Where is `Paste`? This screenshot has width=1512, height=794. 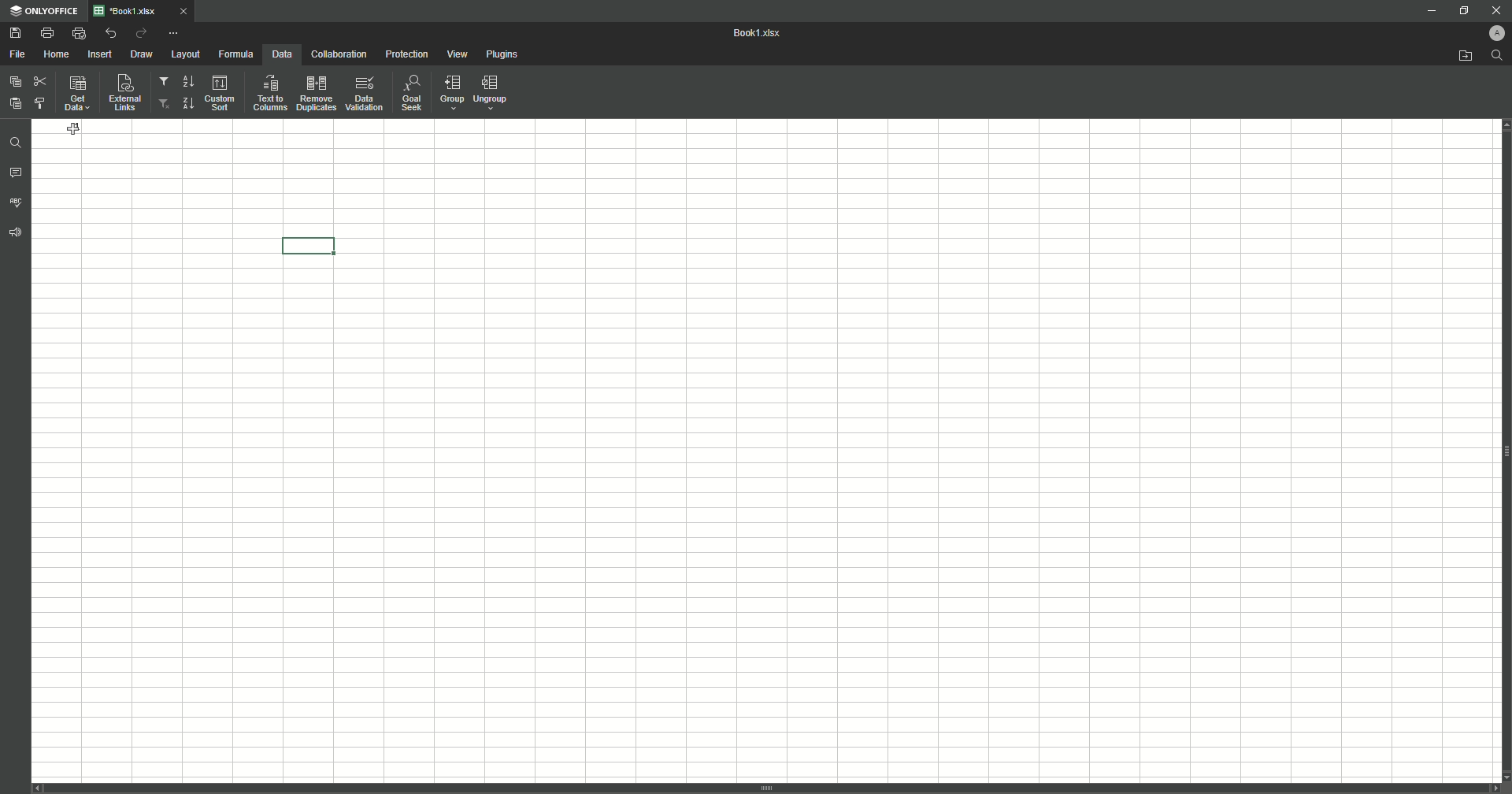 Paste is located at coordinates (15, 102).